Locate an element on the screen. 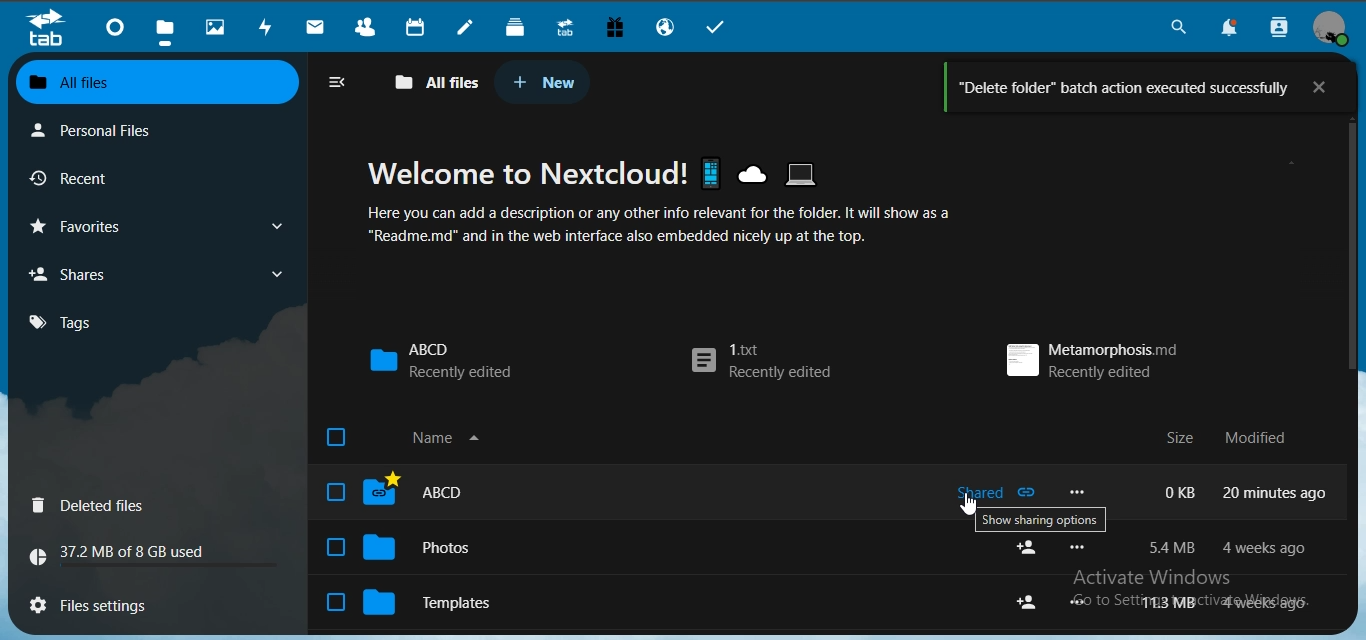 This screenshot has width=1366, height=640. 20 min ago is located at coordinates (1276, 491).